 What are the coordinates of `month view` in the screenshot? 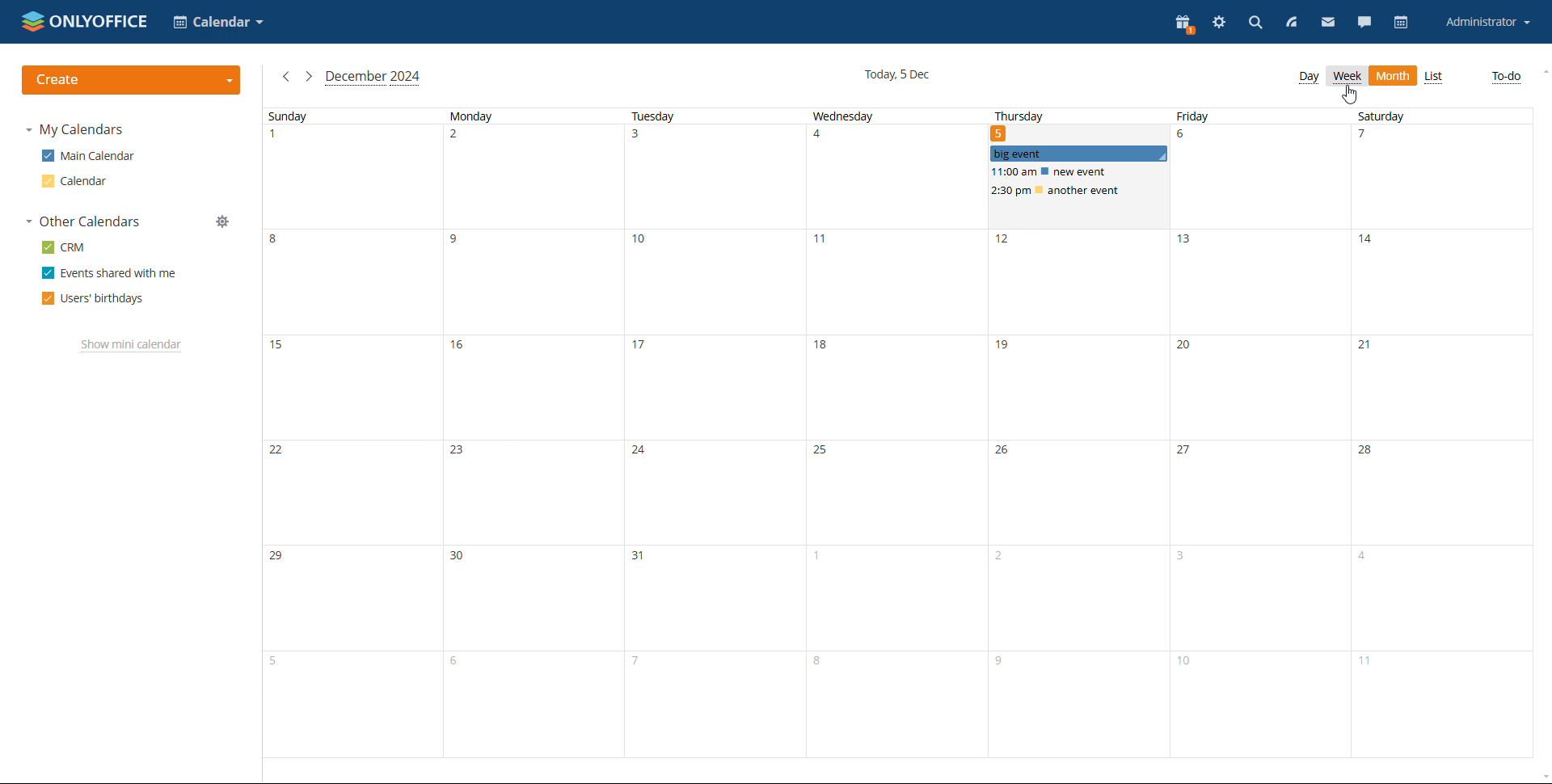 It's located at (1394, 76).